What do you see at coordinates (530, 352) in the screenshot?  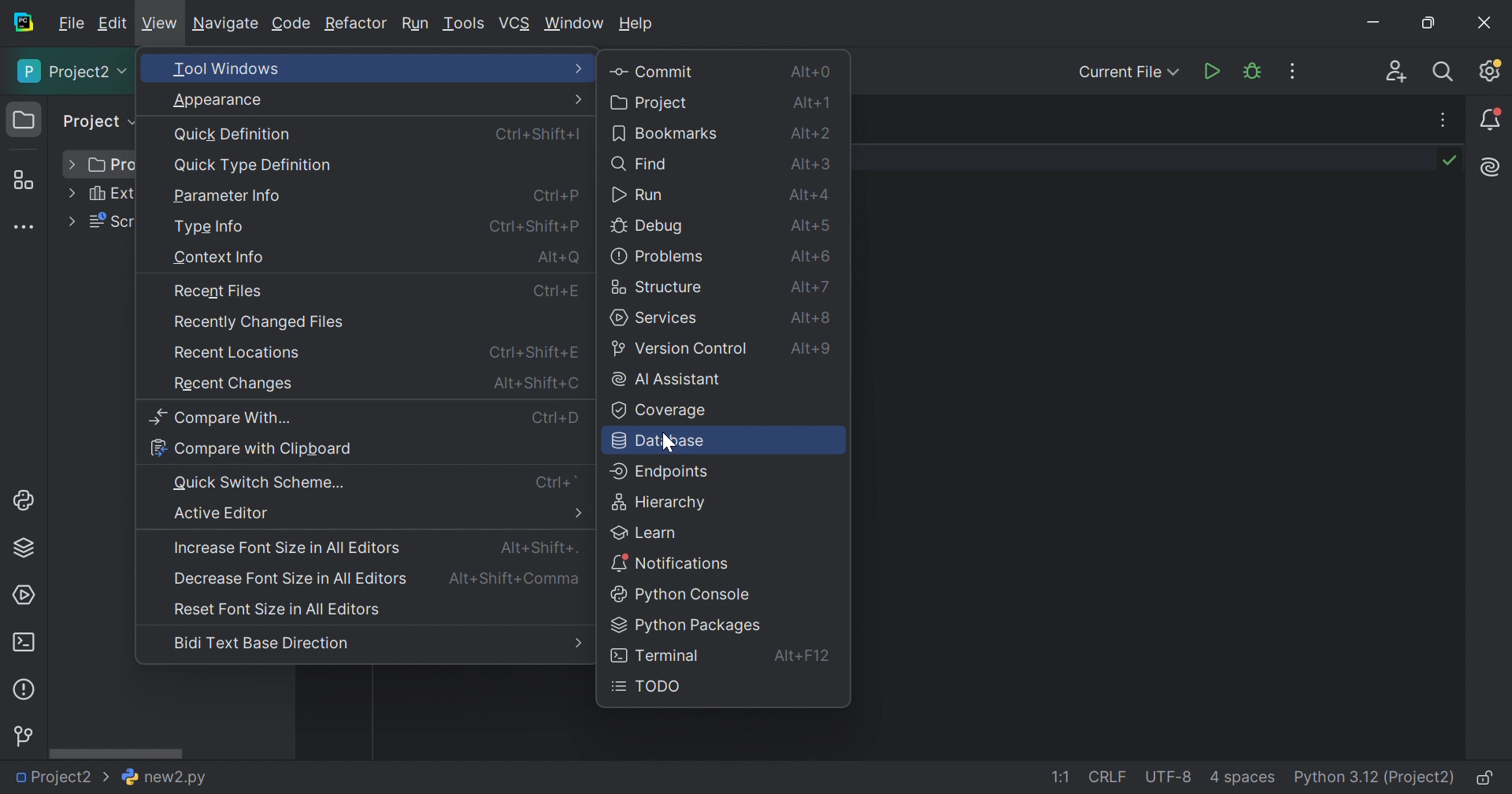 I see `Ctrl+Shift+E` at bounding box center [530, 352].